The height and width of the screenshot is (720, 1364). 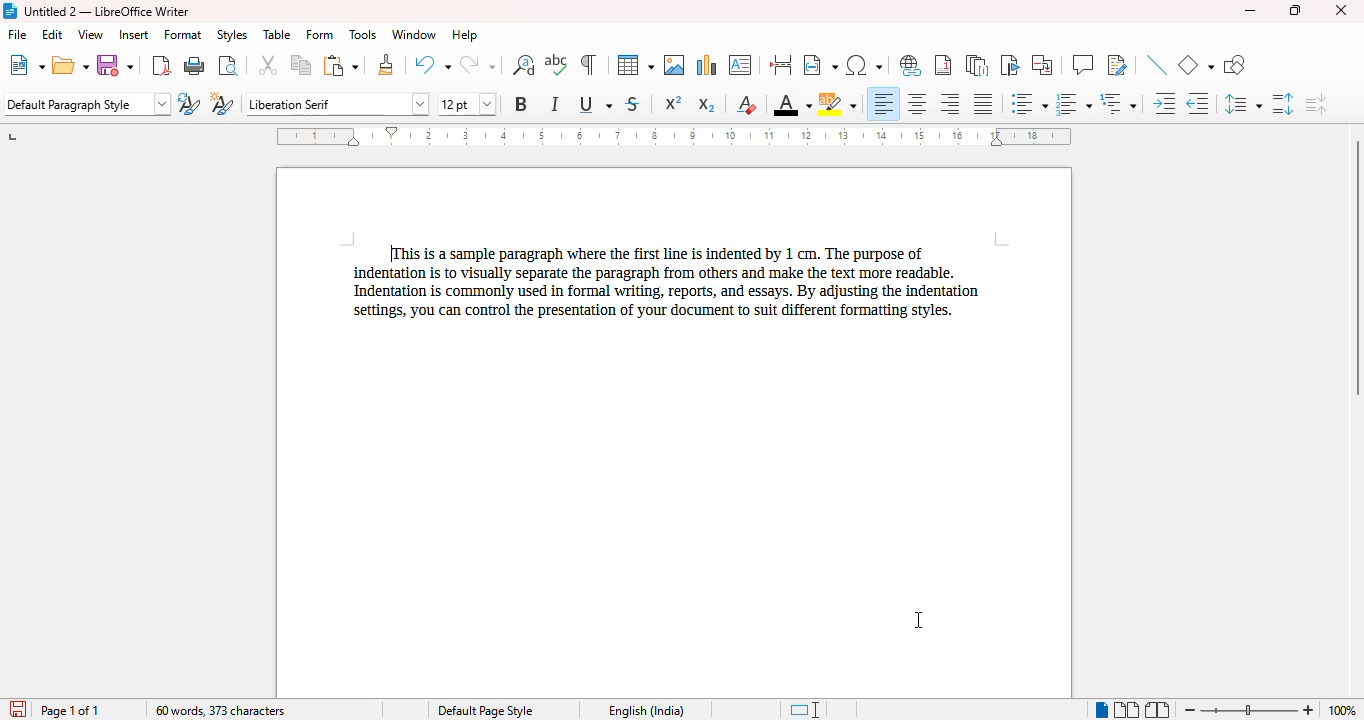 I want to click on spelling, so click(x=557, y=65).